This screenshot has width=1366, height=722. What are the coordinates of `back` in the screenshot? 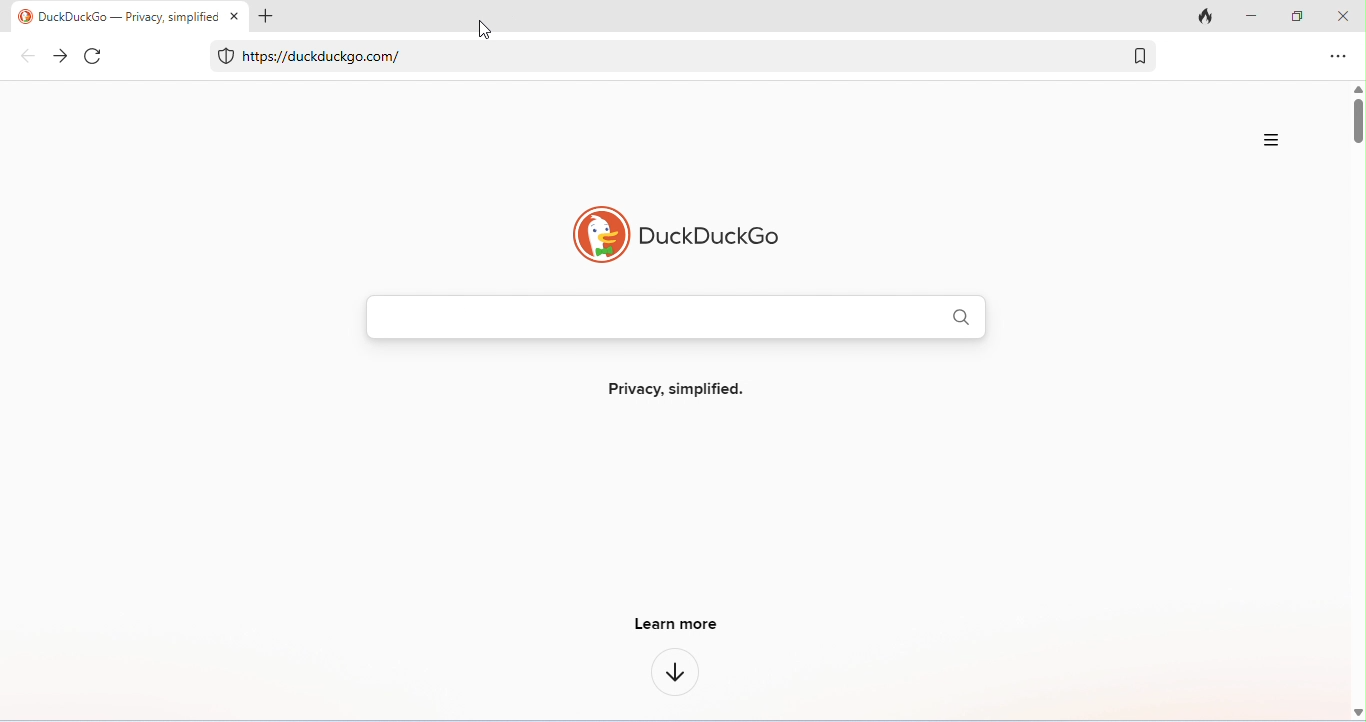 It's located at (28, 55).